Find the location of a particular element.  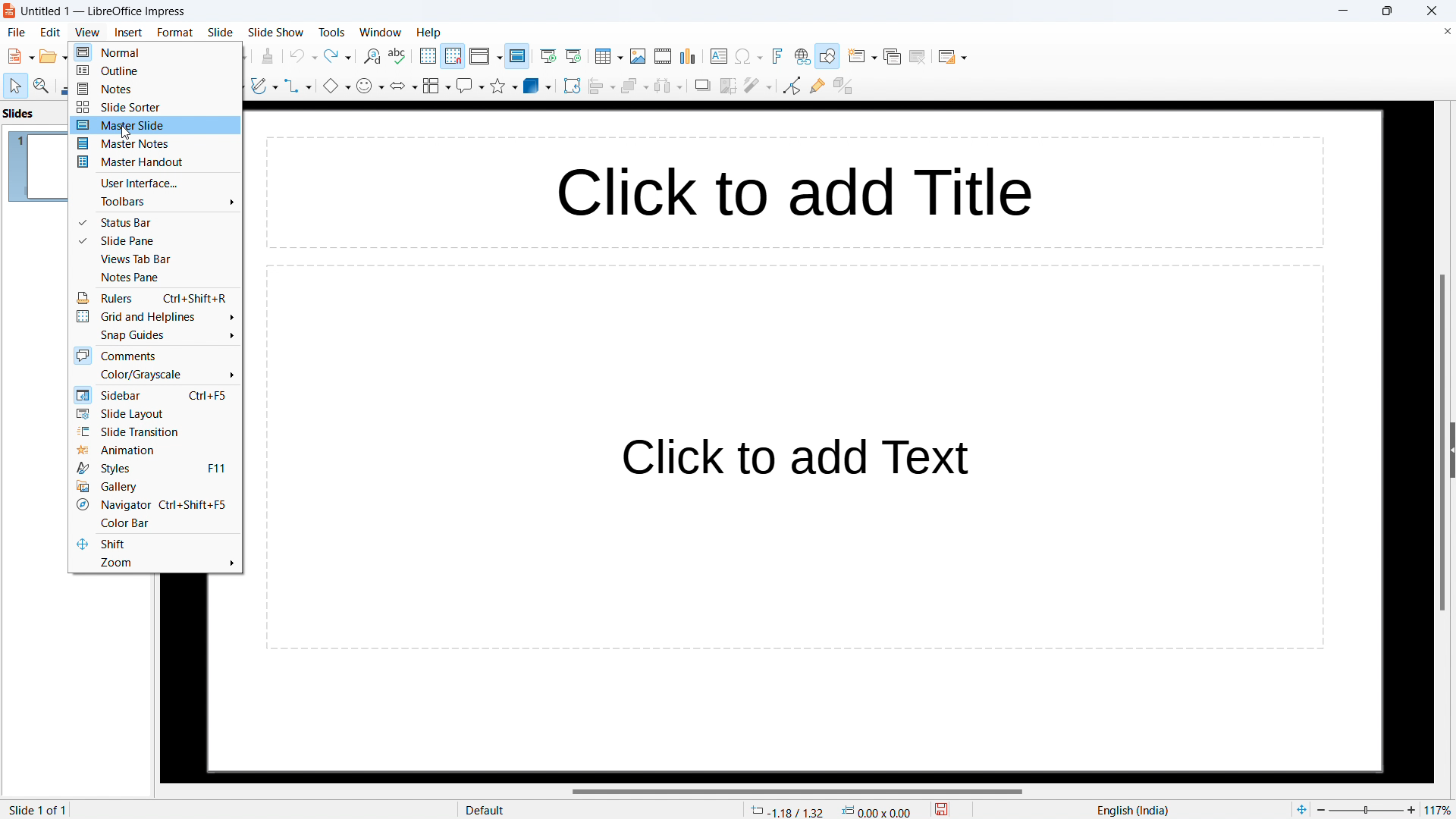

3D objects is located at coordinates (538, 86).